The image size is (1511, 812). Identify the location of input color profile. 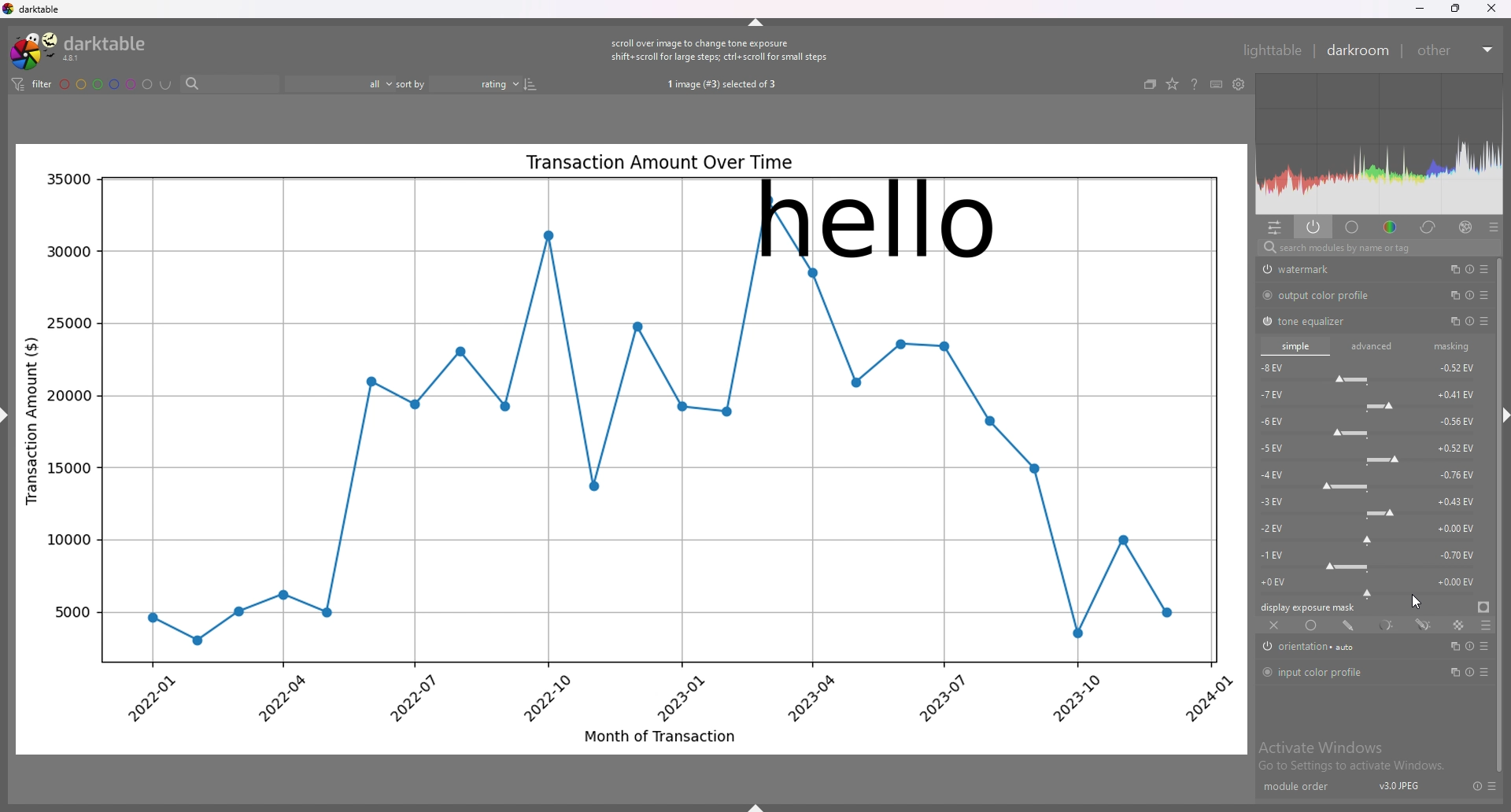
(1325, 672).